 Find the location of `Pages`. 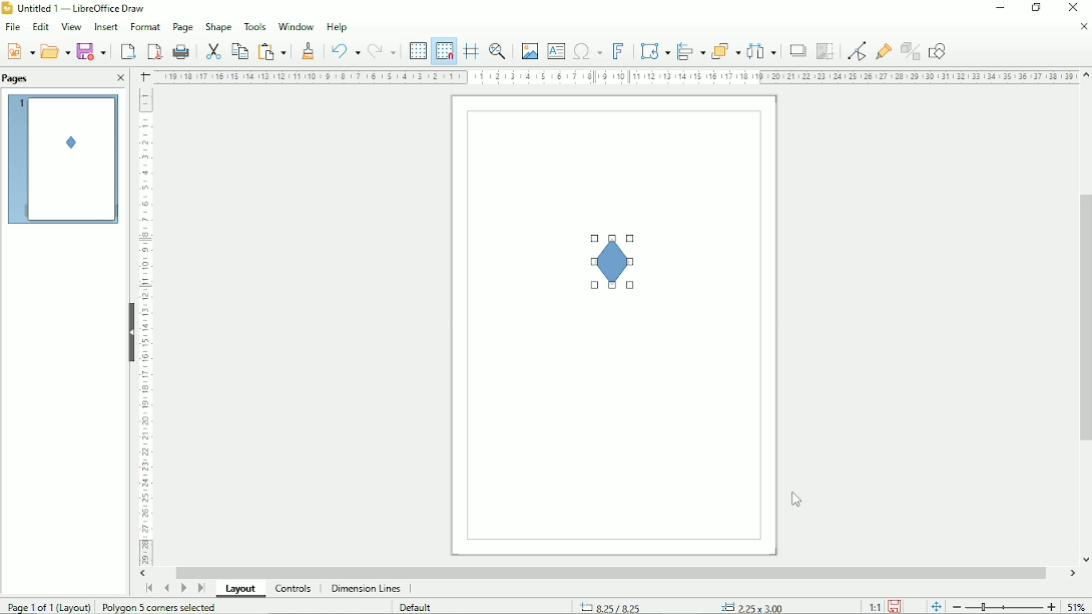

Pages is located at coordinates (18, 78).